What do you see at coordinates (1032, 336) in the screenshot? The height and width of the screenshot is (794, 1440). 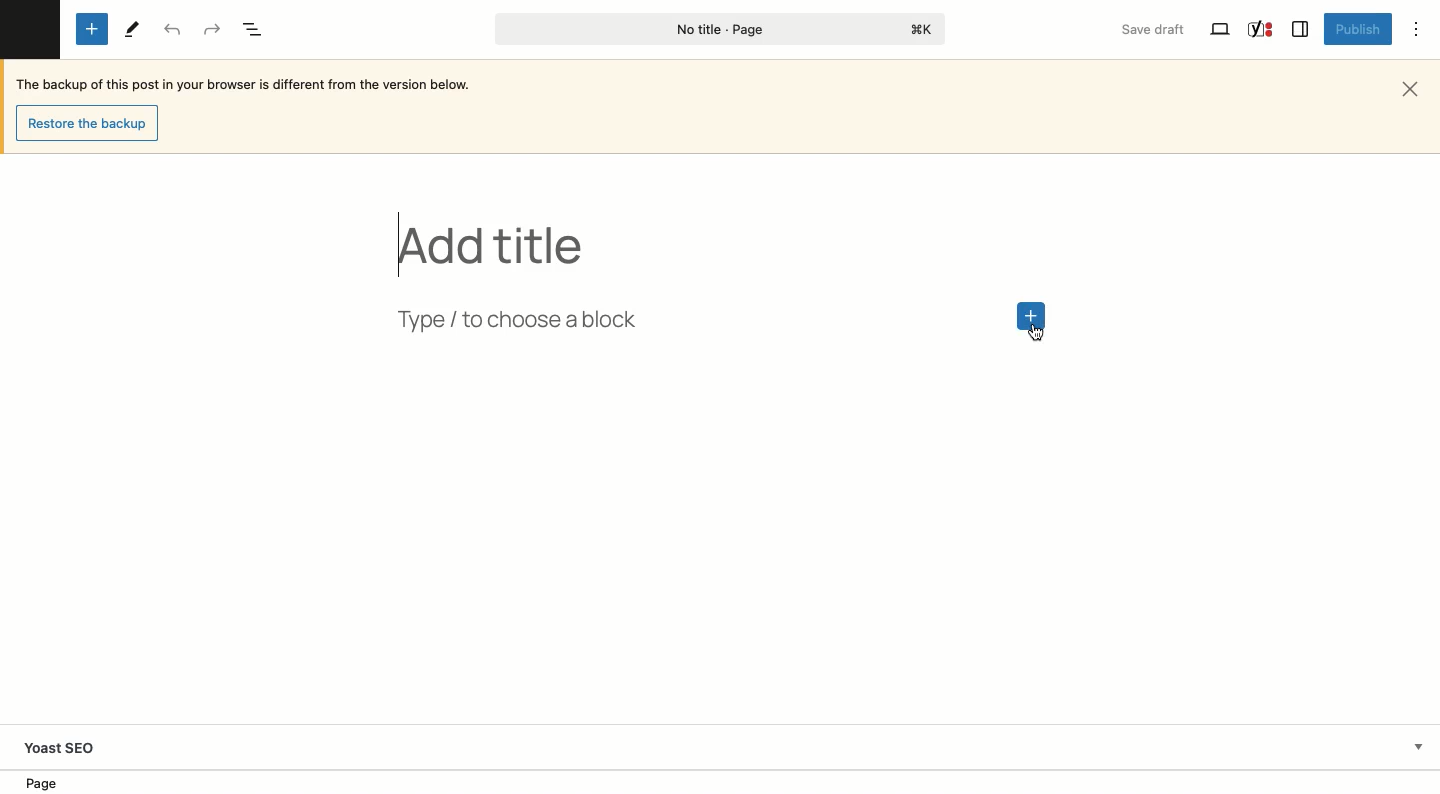 I see `Cursor` at bounding box center [1032, 336].